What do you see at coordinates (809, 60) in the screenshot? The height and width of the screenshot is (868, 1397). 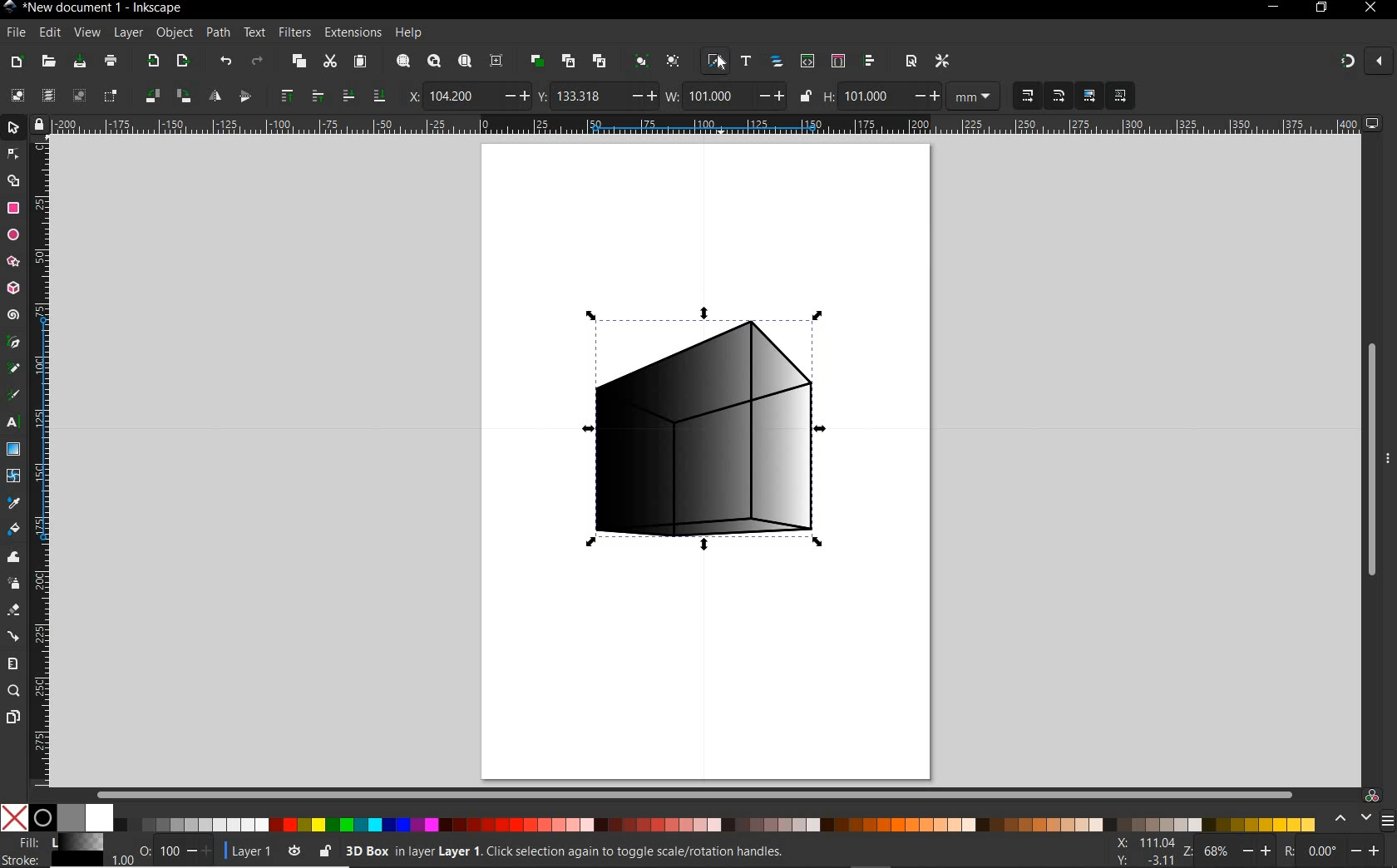 I see `OPEN XML EDITOR` at bounding box center [809, 60].